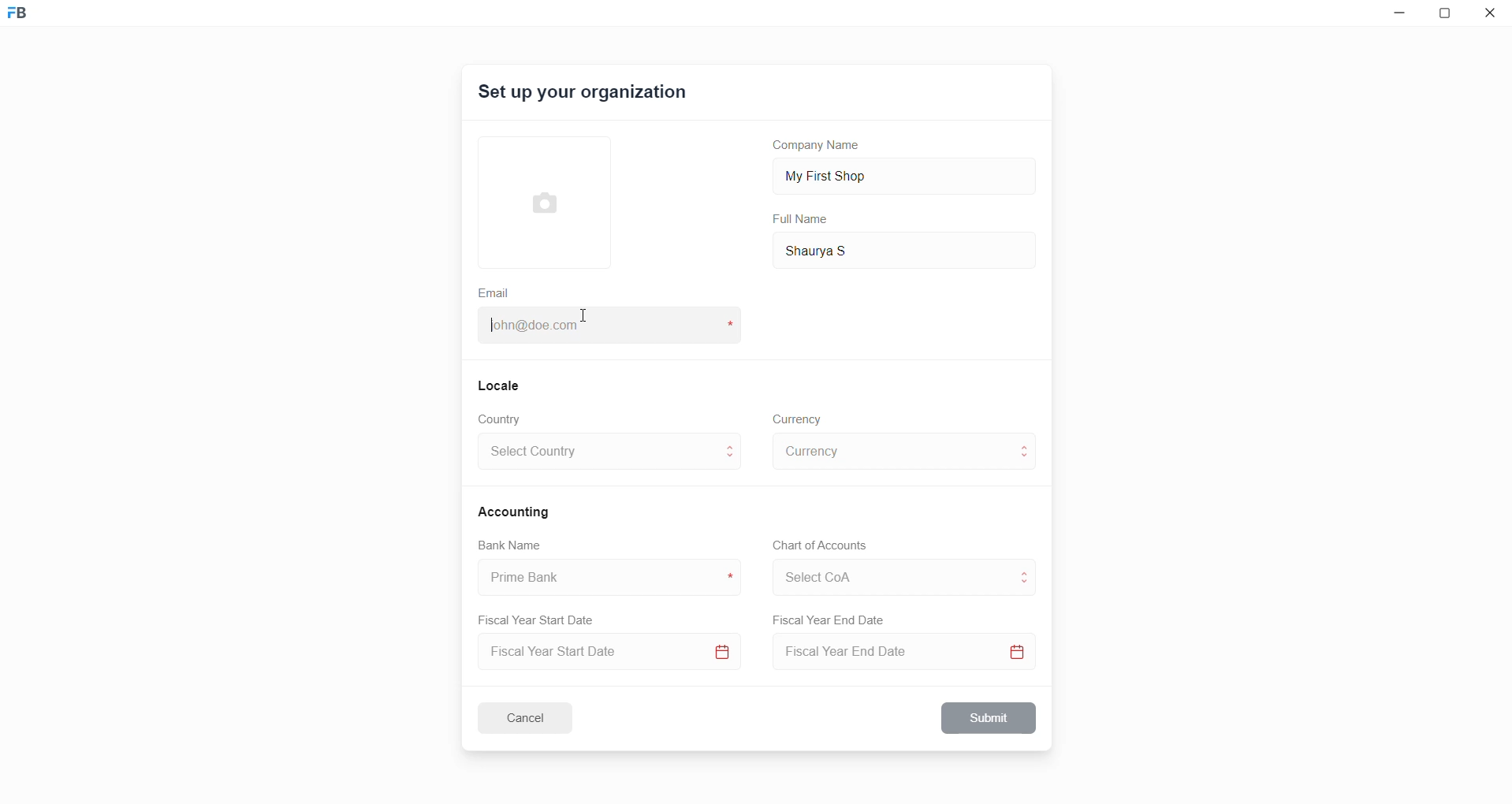  What do you see at coordinates (1028, 445) in the screenshot?
I see `move to above curreny` at bounding box center [1028, 445].